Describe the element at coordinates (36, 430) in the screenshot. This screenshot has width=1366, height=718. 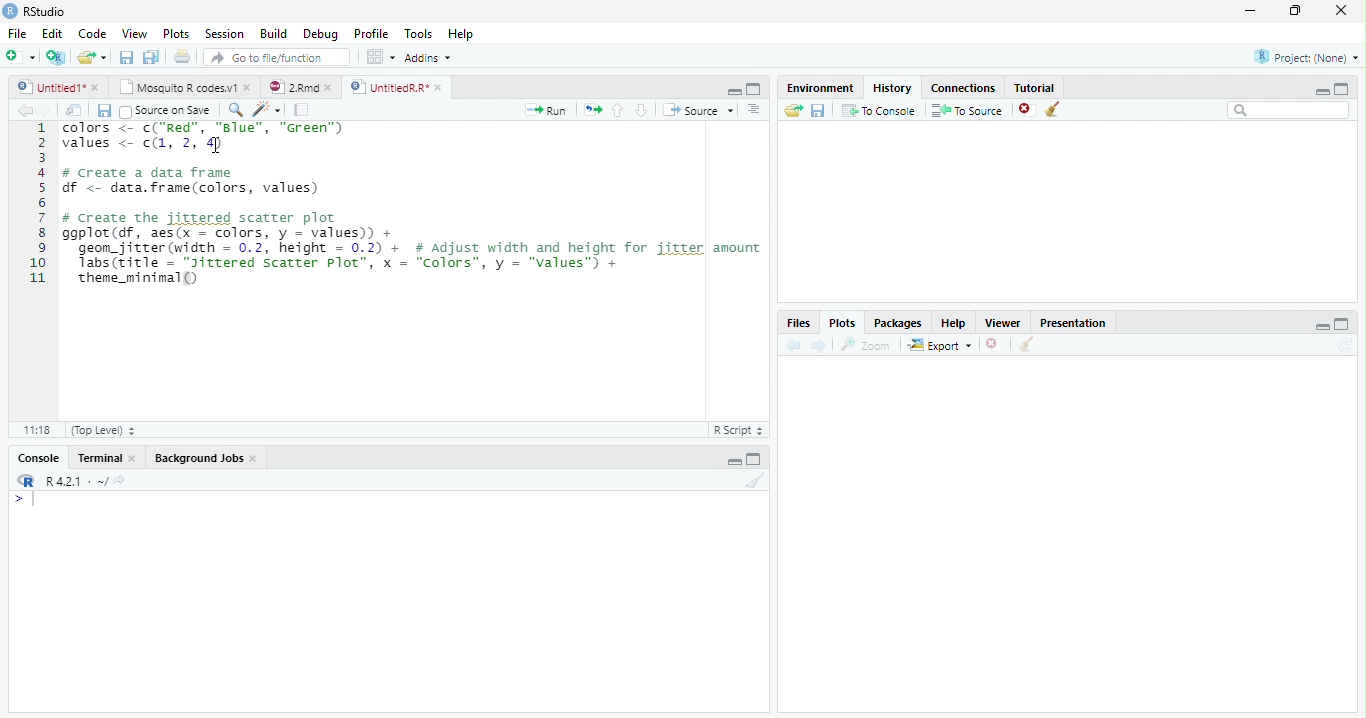
I see `1:1` at that location.